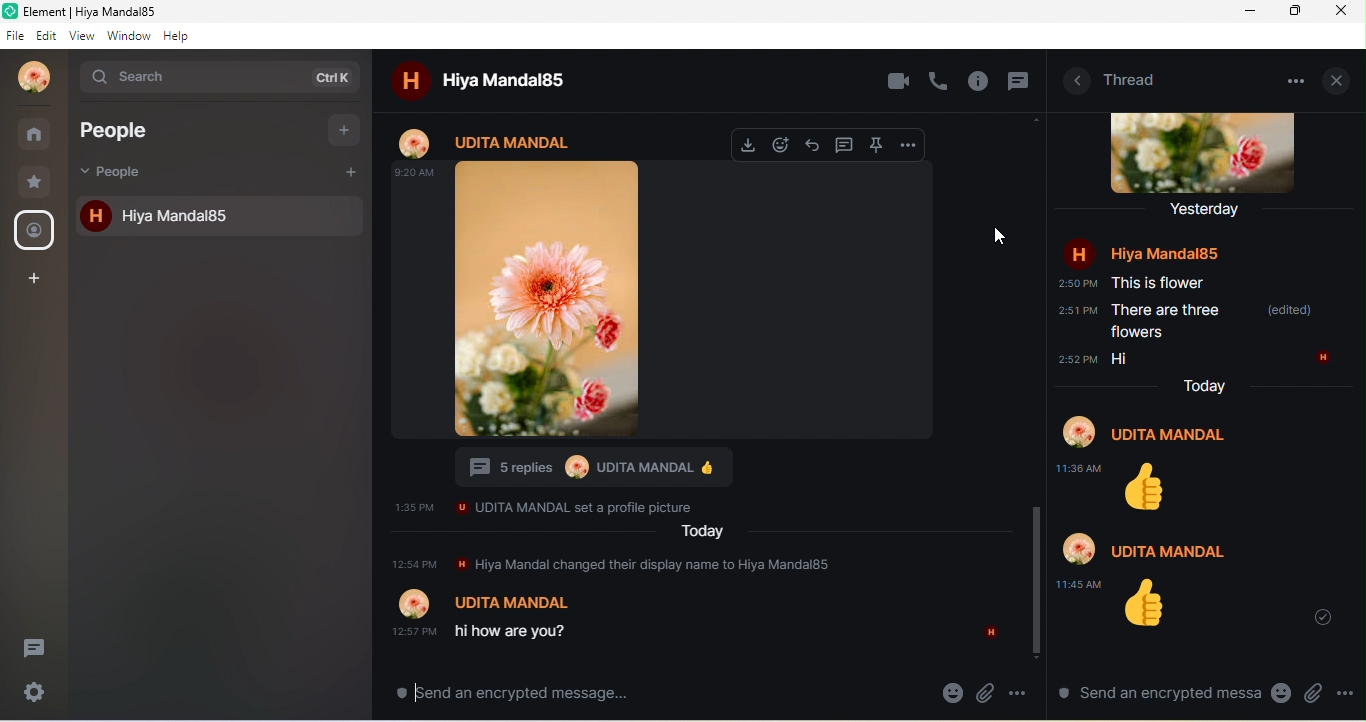 This screenshot has width=1366, height=722. I want to click on pin, so click(880, 144).